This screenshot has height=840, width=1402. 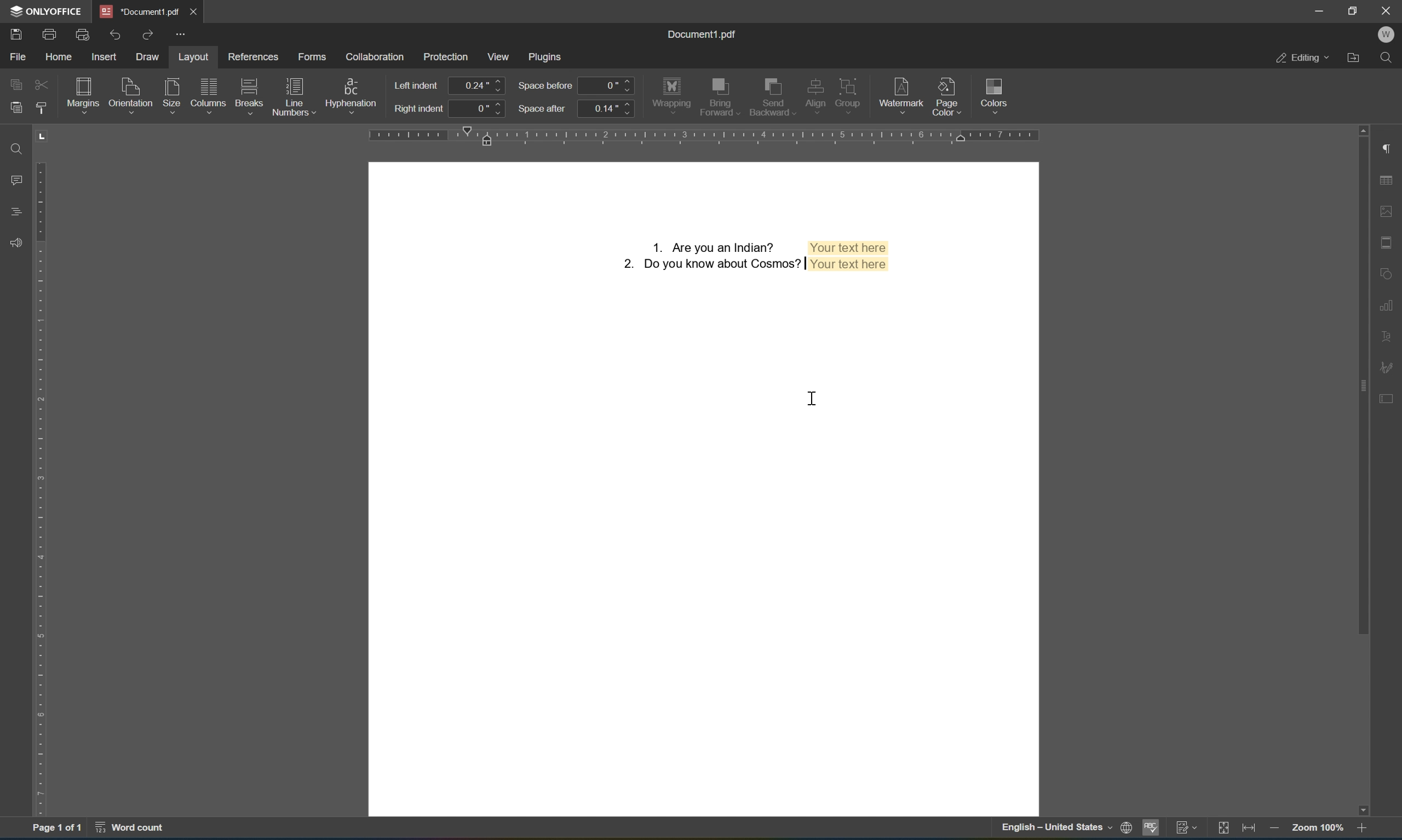 What do you see at coordinates (136, 830) in the screenshot?
I see `word count` at bounding box center [136, 830].